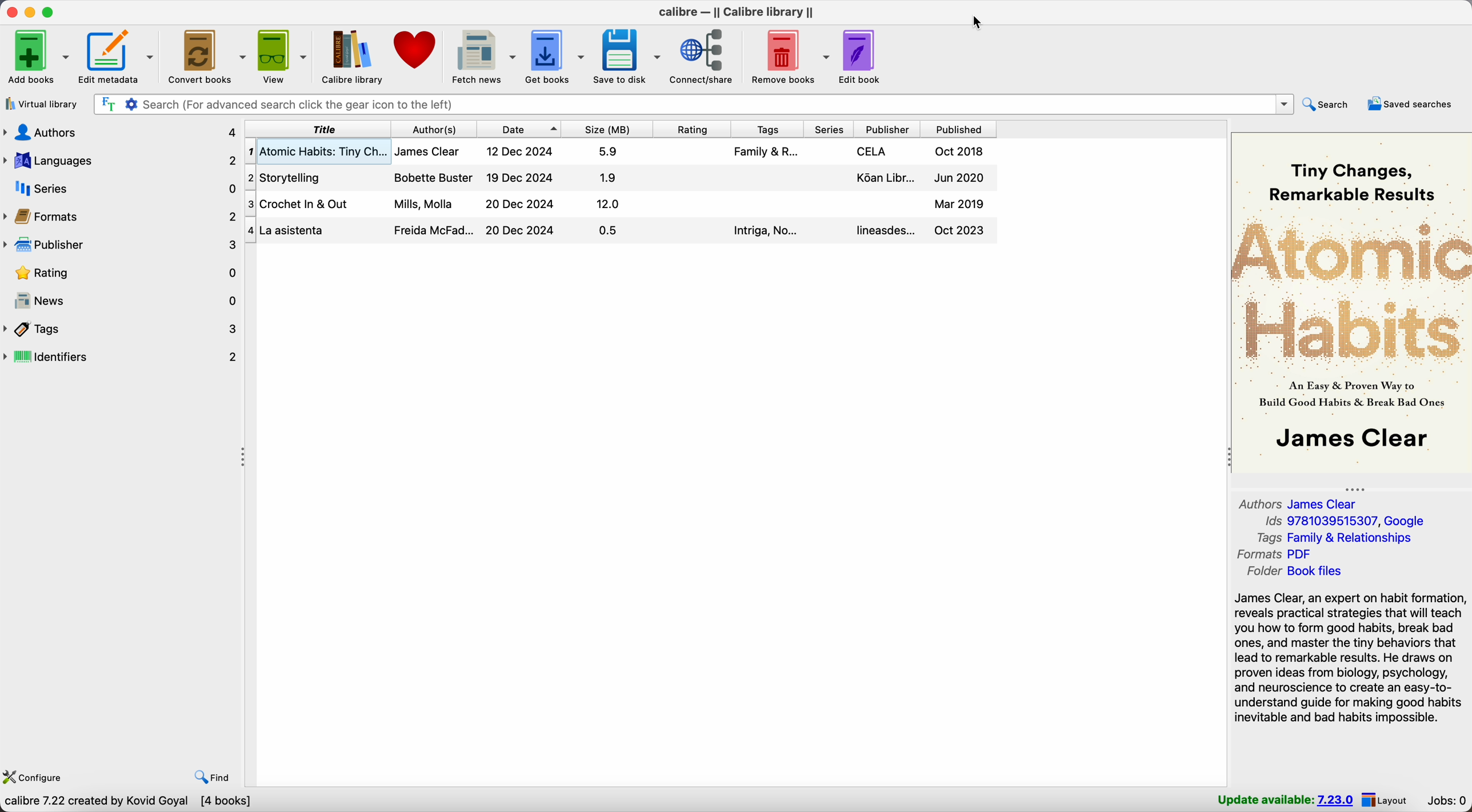  I want to click on news, so click(122, 302).